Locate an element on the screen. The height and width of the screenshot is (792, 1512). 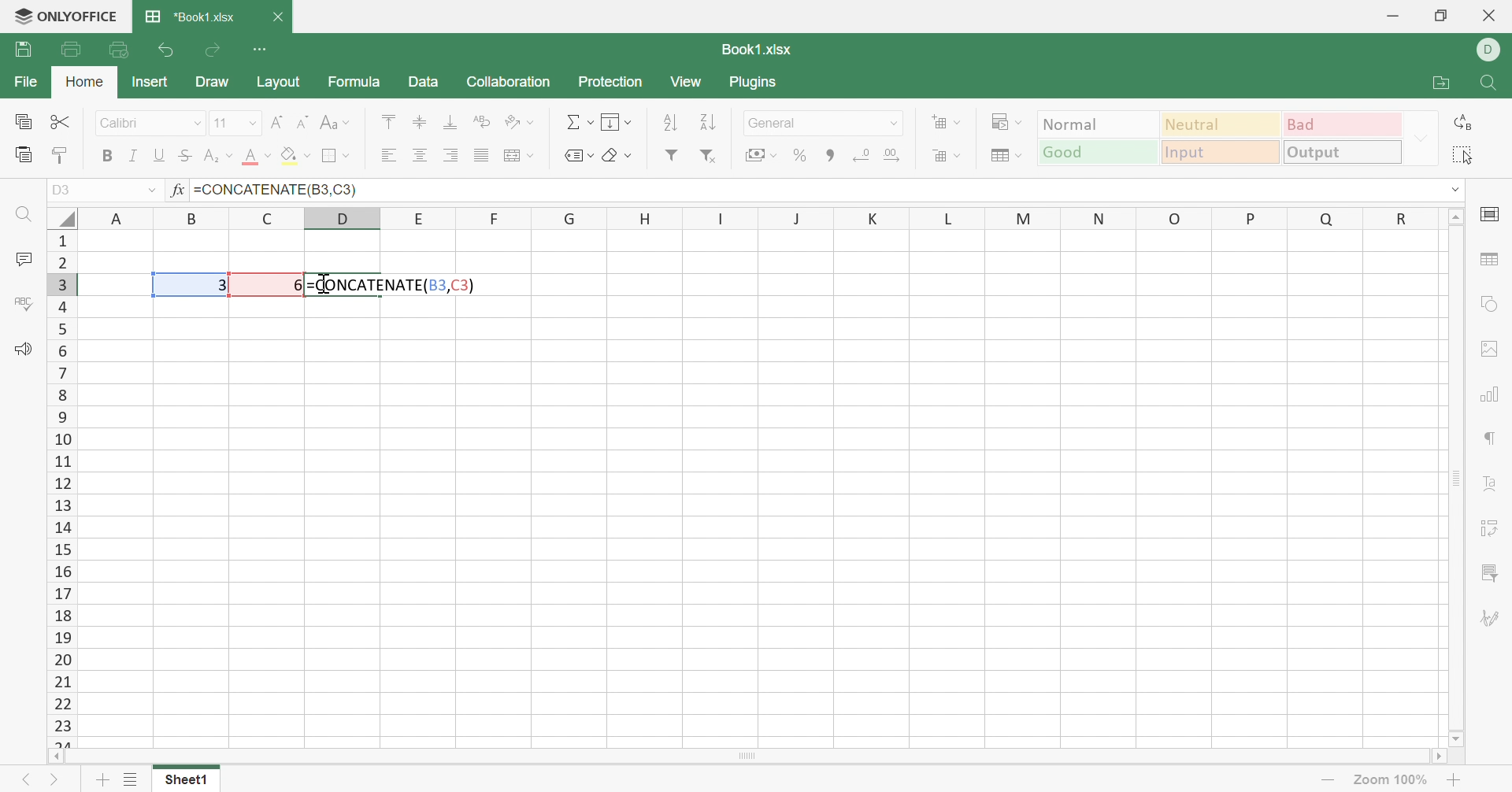
Collaboration is located at coordinates (508, 81).